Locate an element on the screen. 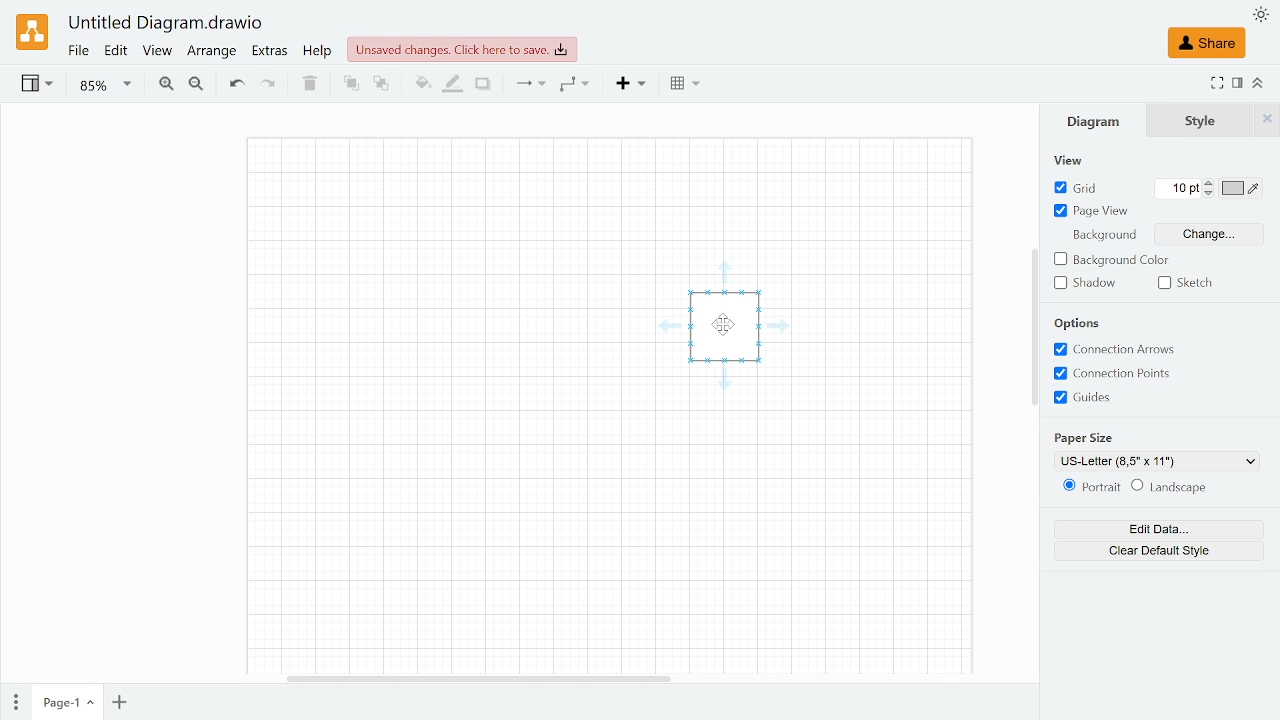  Waypoints is located at coordinates (575, 85).